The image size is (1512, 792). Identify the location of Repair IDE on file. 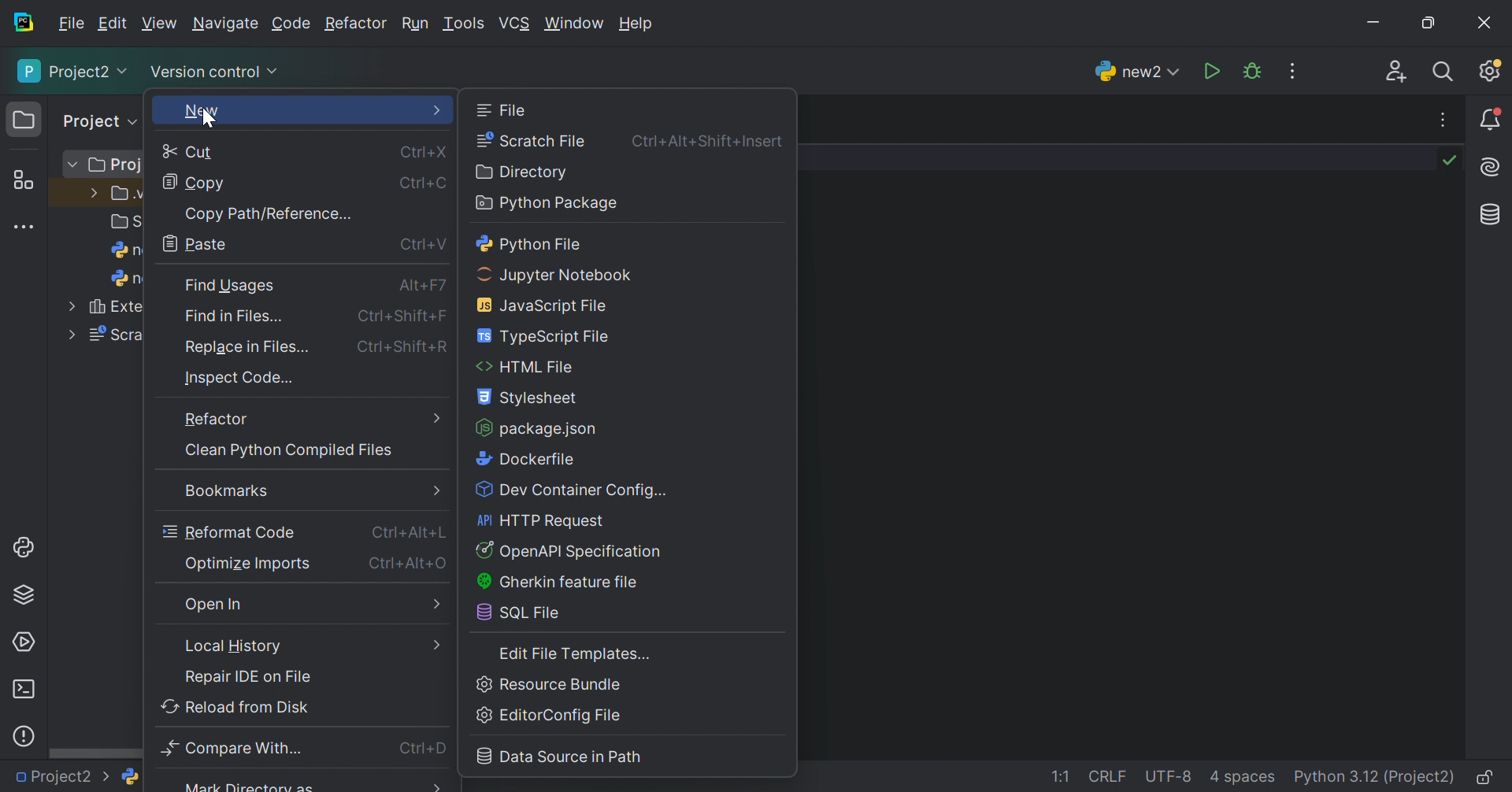
(250, 677).